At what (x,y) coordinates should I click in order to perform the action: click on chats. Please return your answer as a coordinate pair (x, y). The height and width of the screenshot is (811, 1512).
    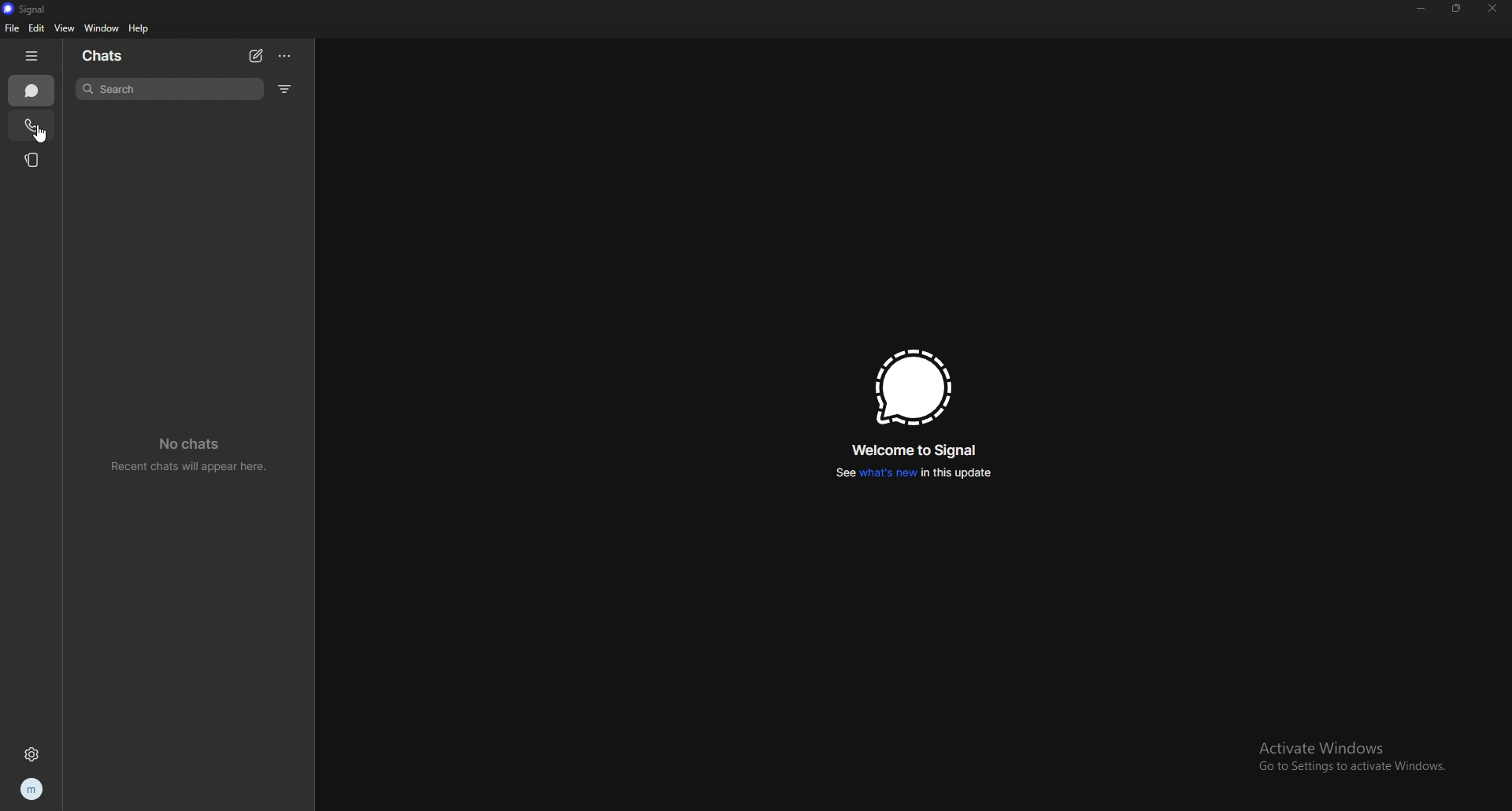
    Looking at the image, I should click on (112, 54).